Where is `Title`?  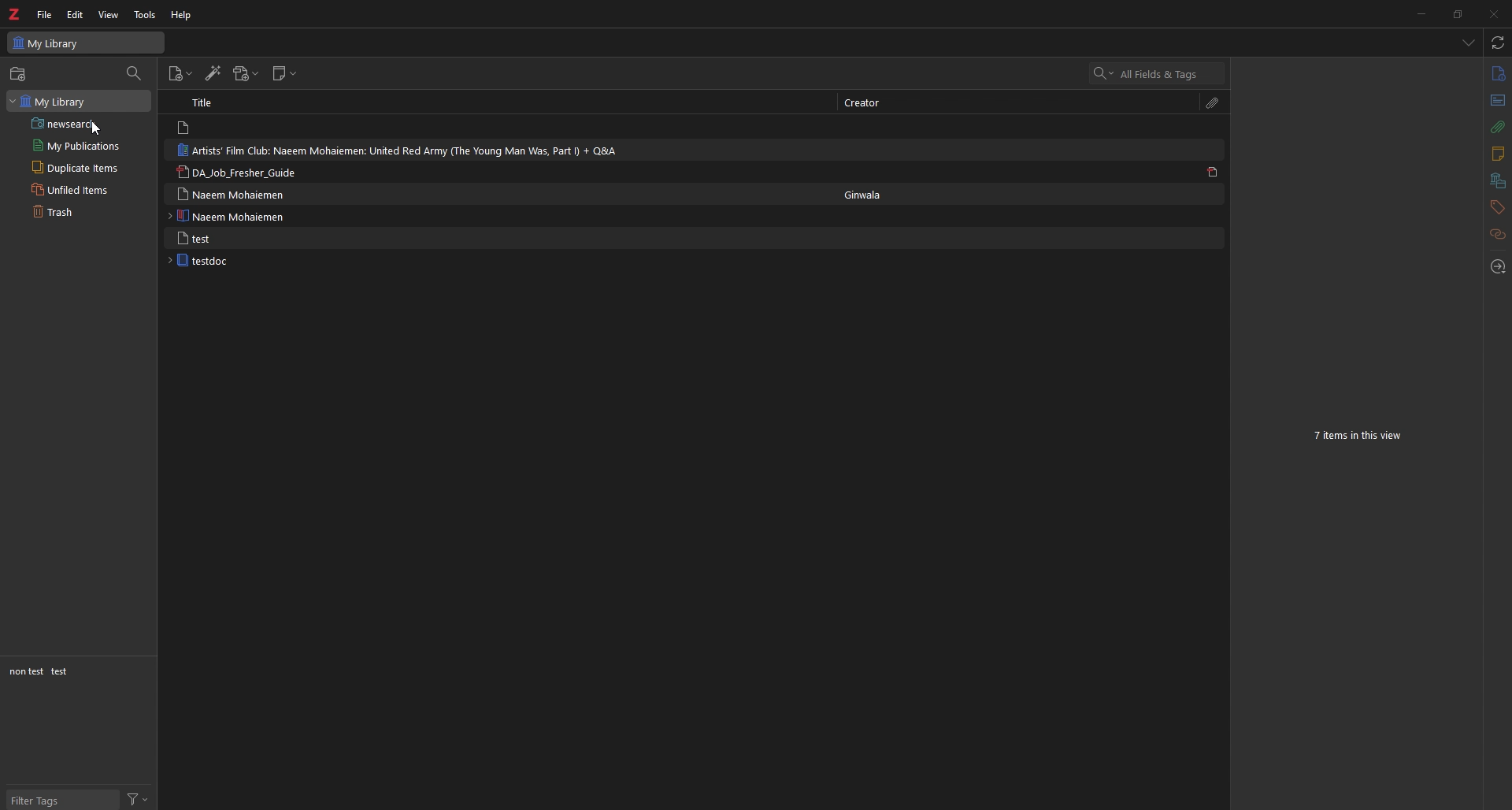
Title is located at coordinates (203, 104).